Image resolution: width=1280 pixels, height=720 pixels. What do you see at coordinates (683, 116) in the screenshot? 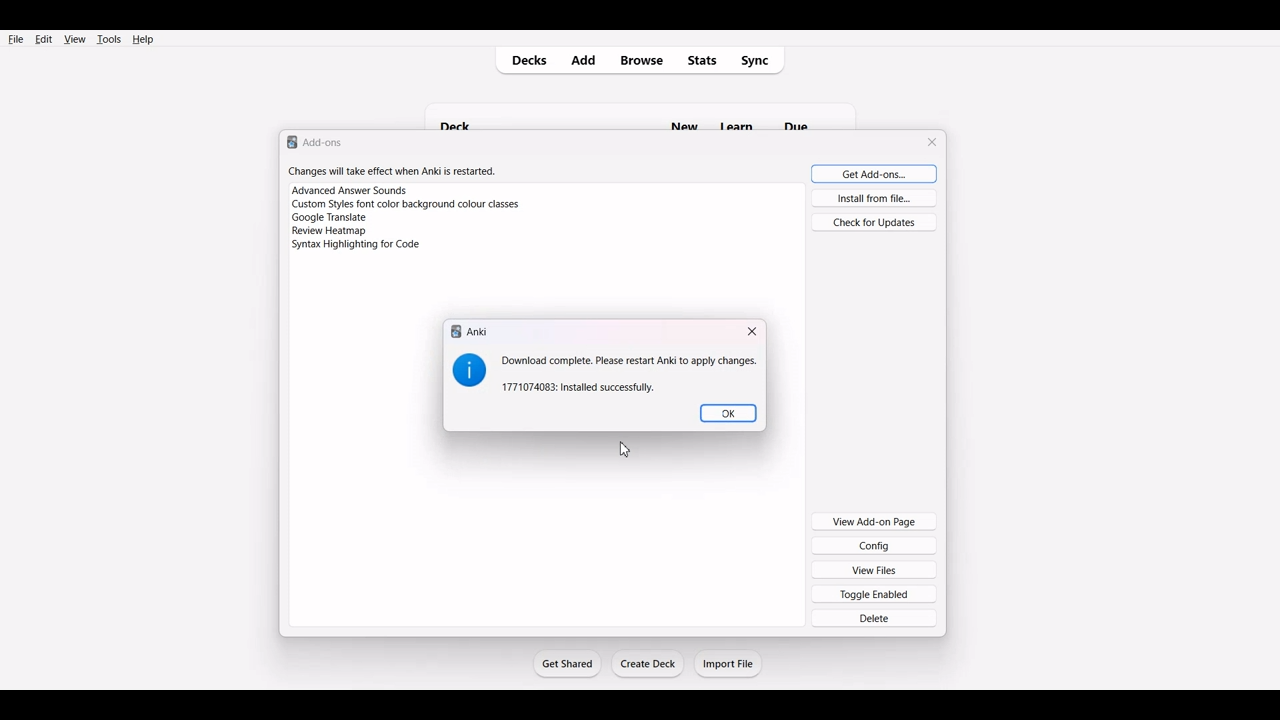
I see `new` at bounding box center [683, 116].